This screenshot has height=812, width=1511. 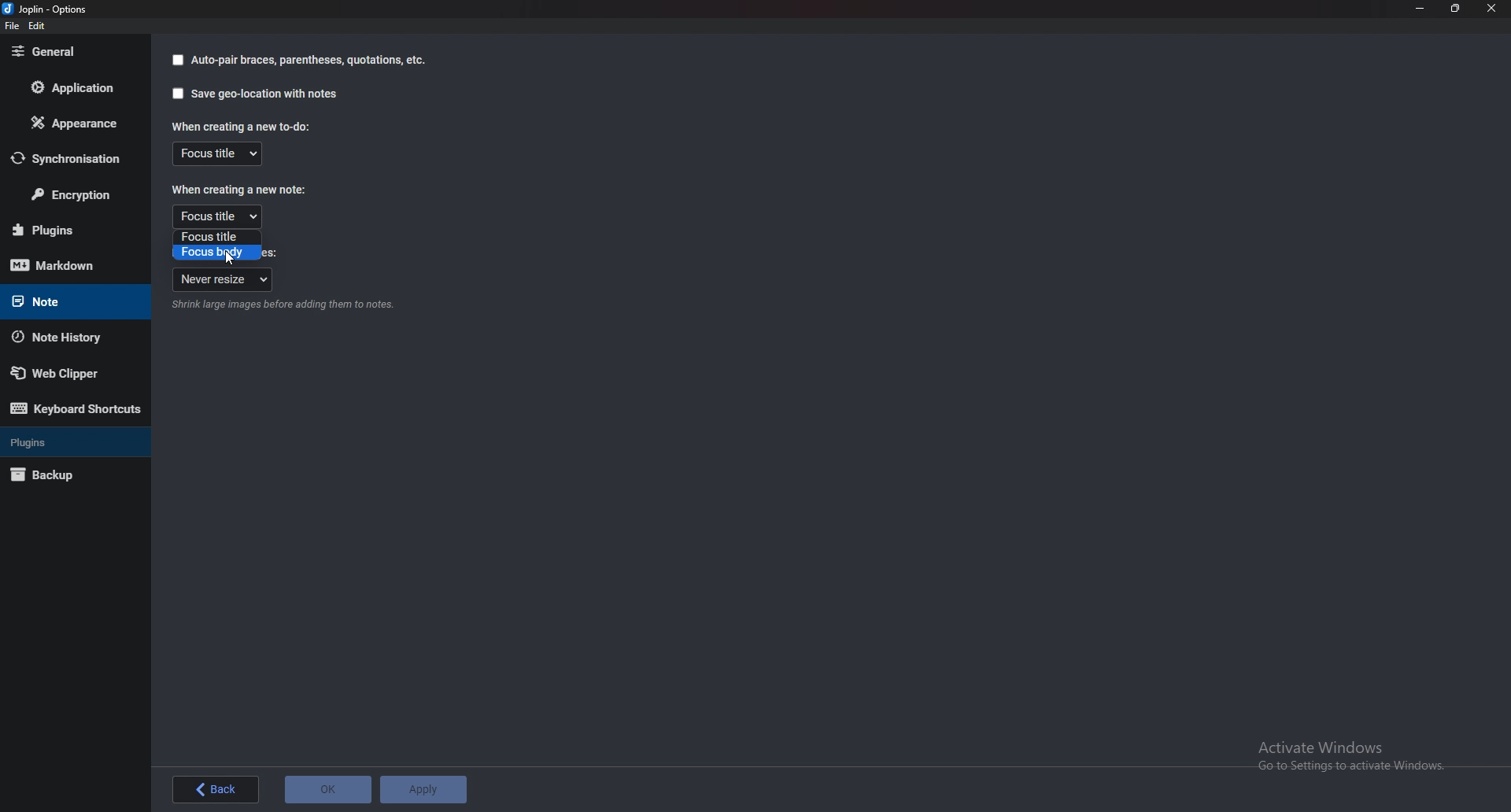 What do you see at coordinates (79, 87) in the screenshot?
I see `Application` at bounding box center [79, 87].